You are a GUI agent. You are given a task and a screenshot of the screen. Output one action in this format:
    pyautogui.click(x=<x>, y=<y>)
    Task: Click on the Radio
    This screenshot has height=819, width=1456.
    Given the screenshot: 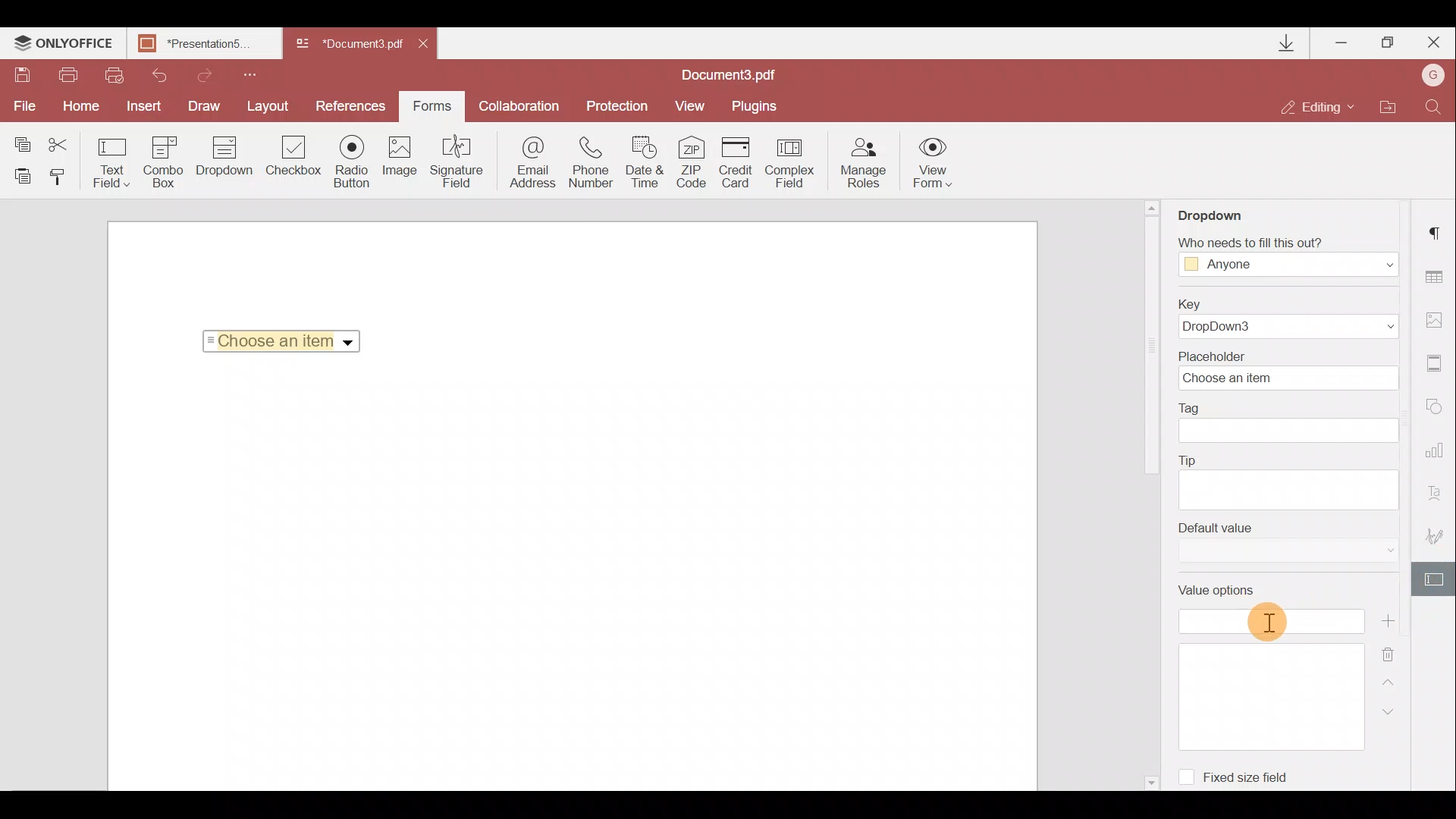 What is the action you would take?
    pyautogui.click(x=354, y=162)
    